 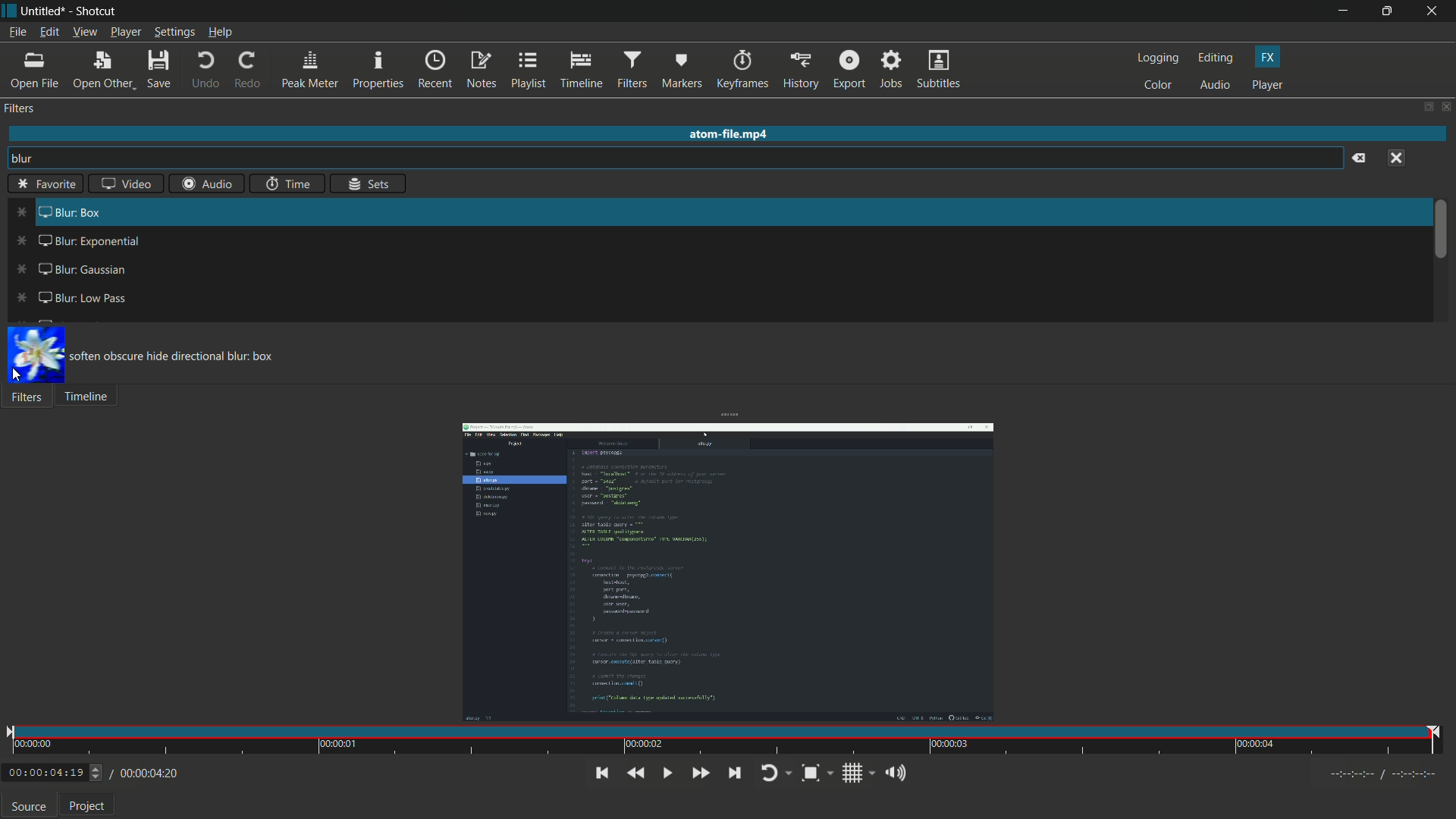 What do you see at coordinates (248, 70) in the screenshot?
I see `redo` at bounding box center [248, 70].